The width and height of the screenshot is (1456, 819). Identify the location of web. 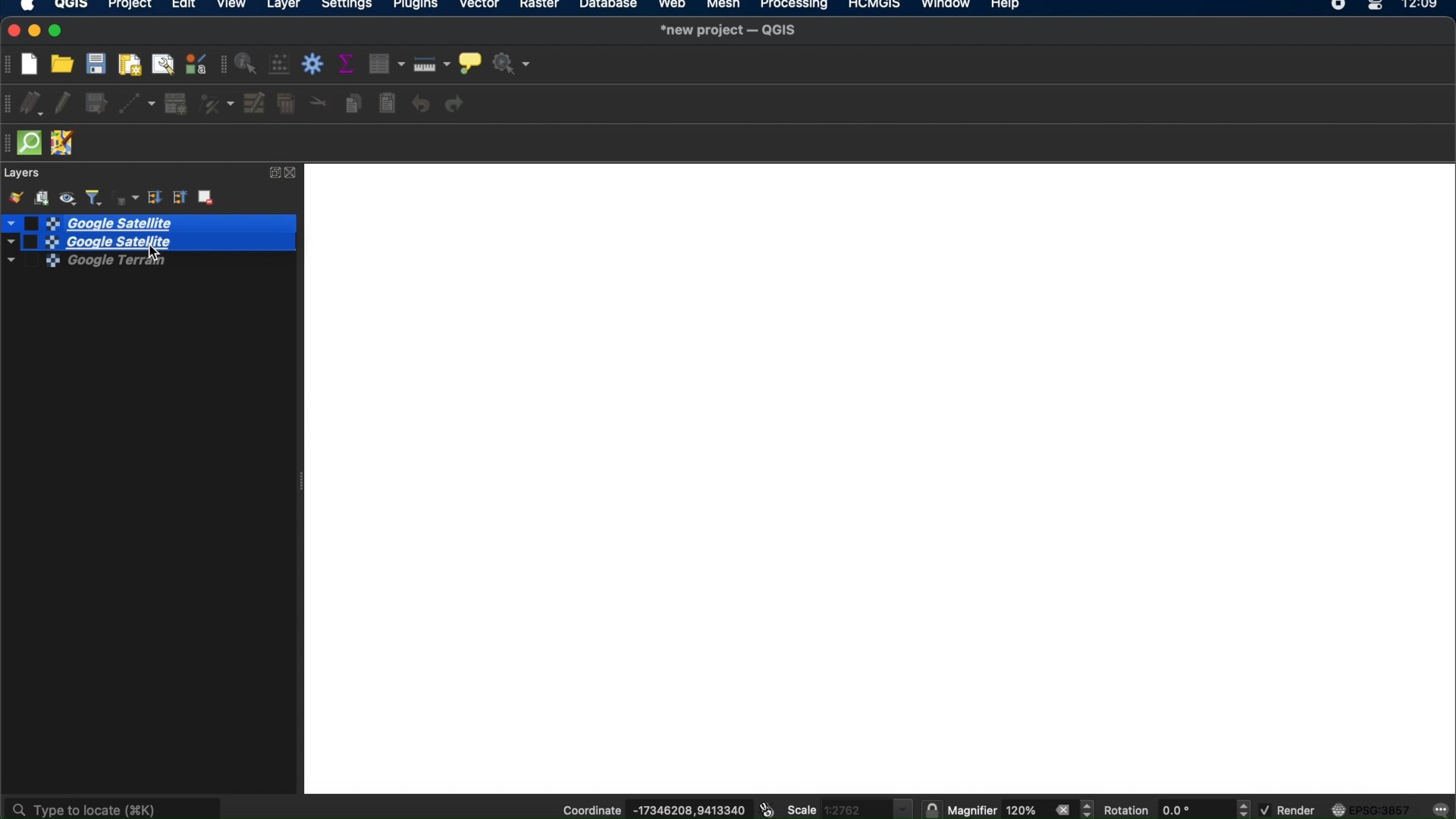
(673, 6).